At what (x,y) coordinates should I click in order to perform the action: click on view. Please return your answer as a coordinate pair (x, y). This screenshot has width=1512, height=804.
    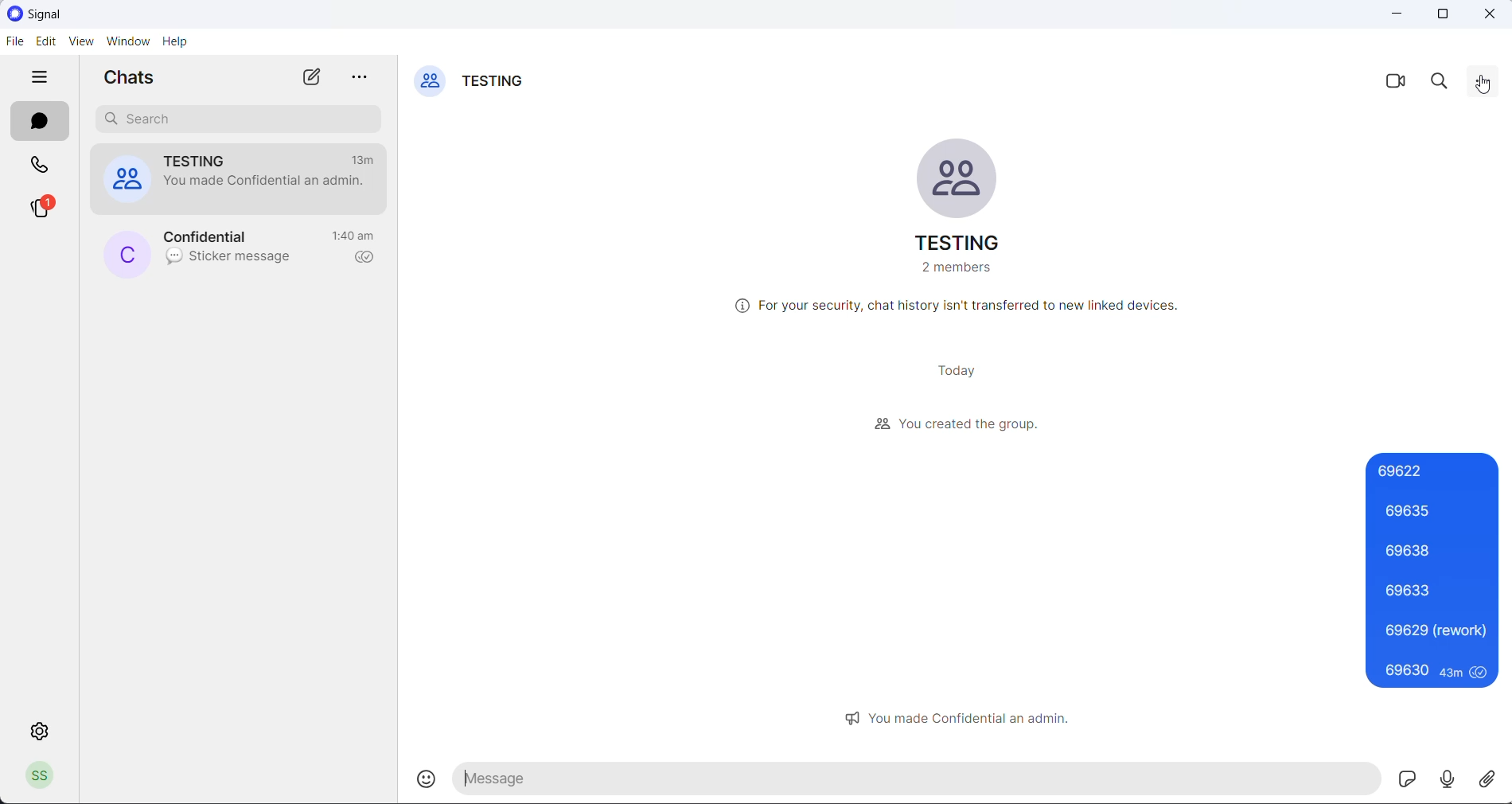
    Looking at the image, I should click on (80, 44).